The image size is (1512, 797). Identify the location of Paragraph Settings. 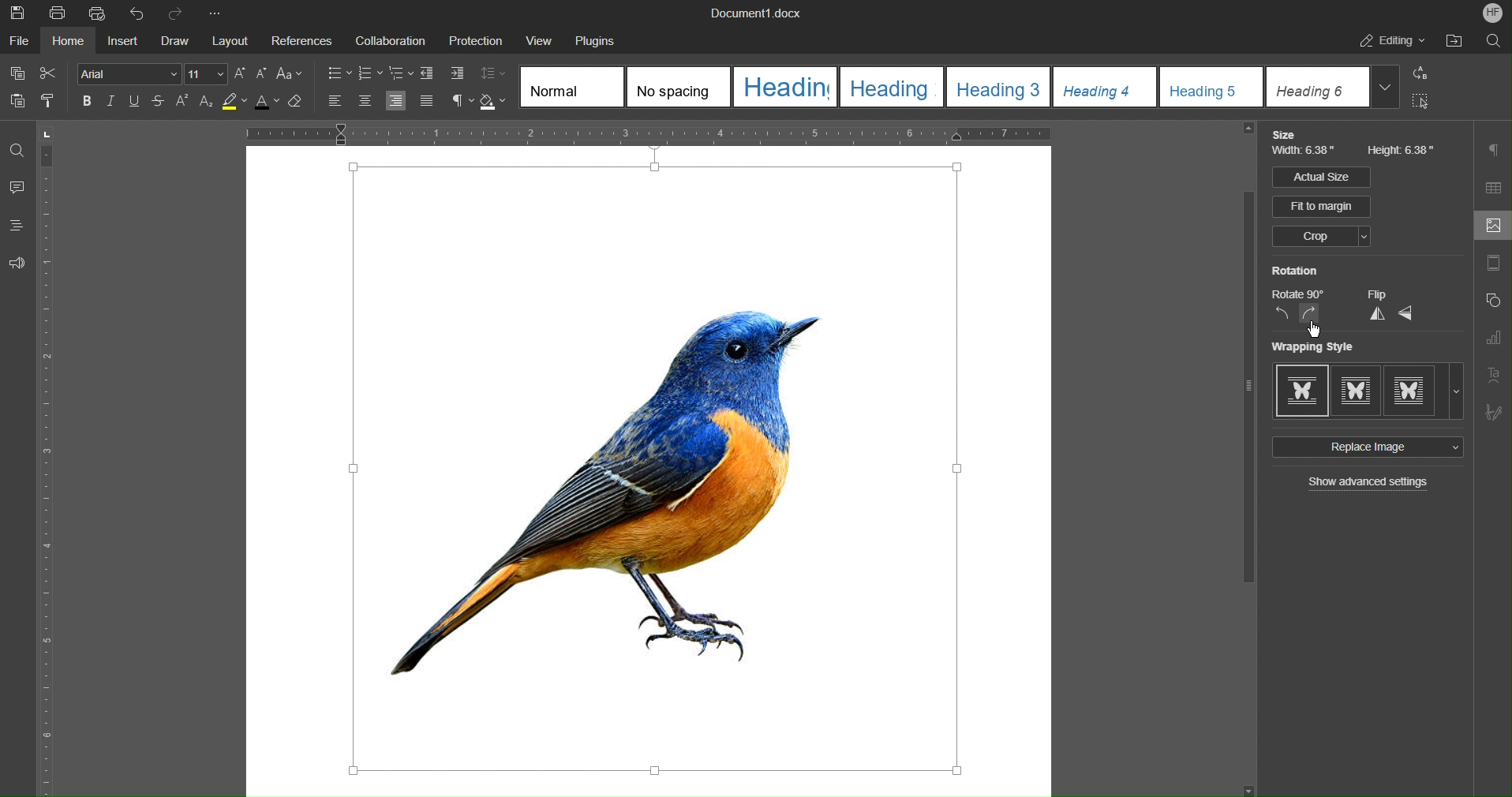
(1494, 150).